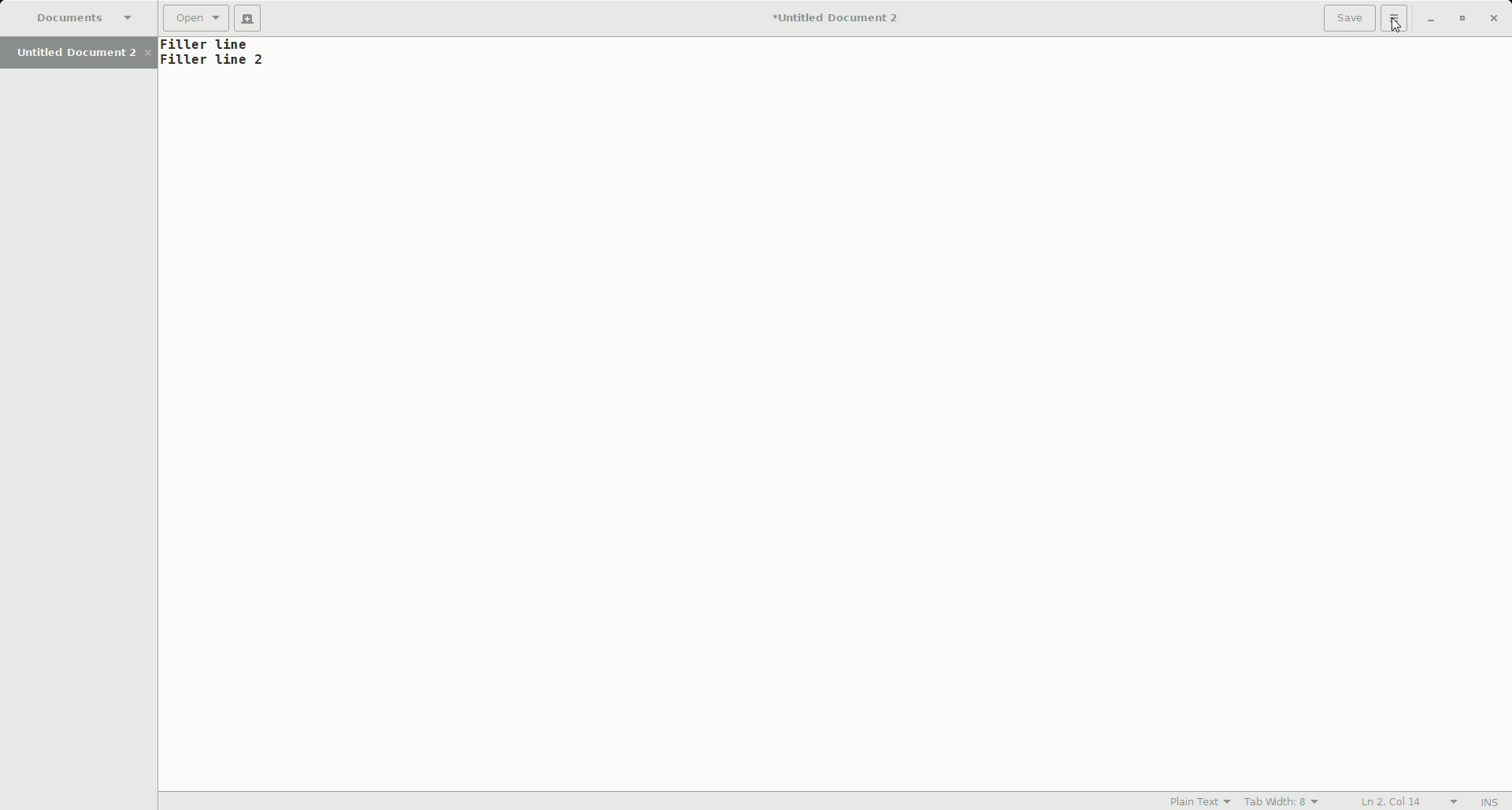 The image size is (1512, 810). What do you see at coordinates (1349, 18) in the screenshot?
I see `Save` at bounding box center [1349, 18].